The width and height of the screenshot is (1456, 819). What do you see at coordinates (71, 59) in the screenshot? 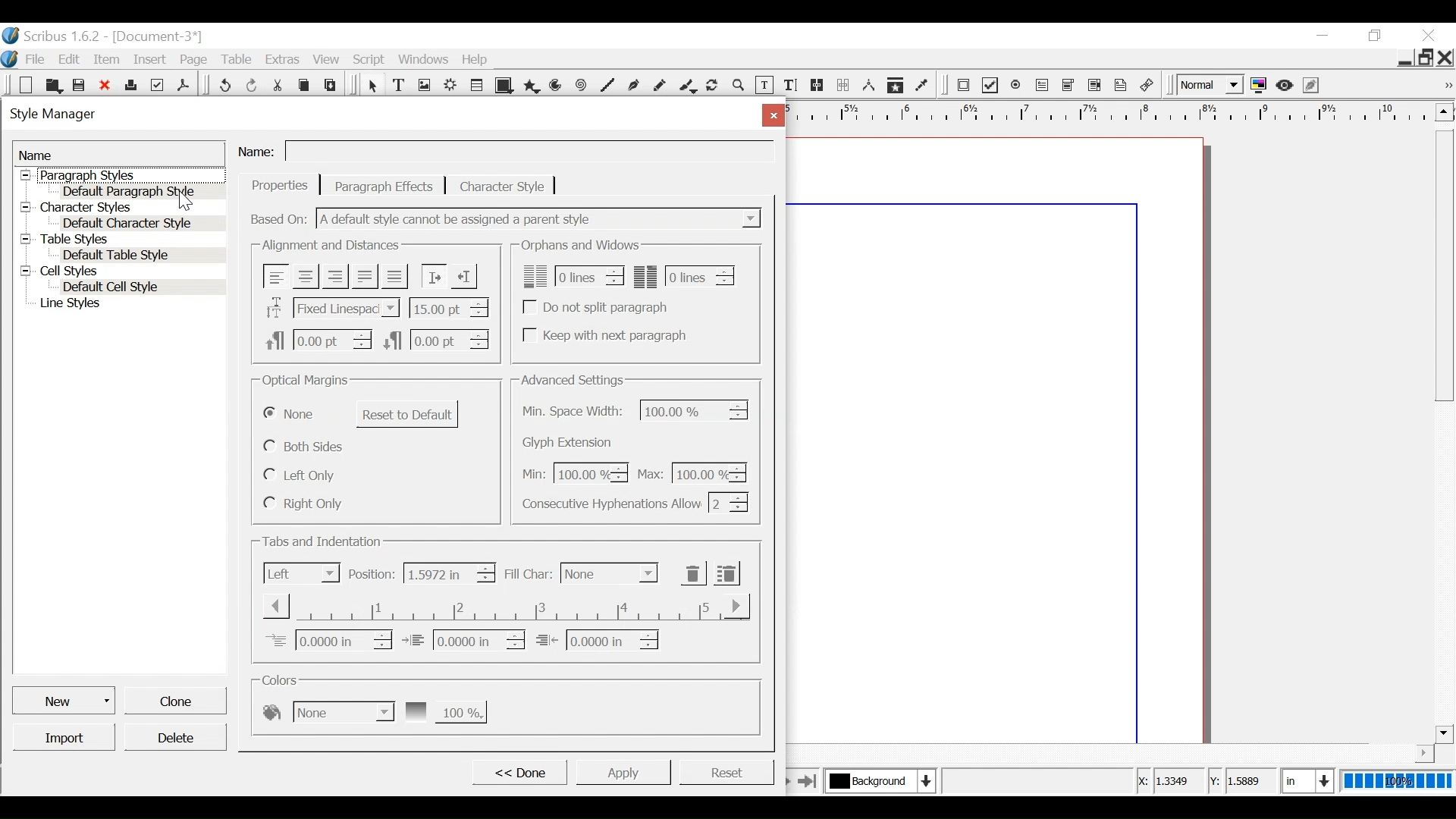
I see `Edit` at bounding box center [71, 59].